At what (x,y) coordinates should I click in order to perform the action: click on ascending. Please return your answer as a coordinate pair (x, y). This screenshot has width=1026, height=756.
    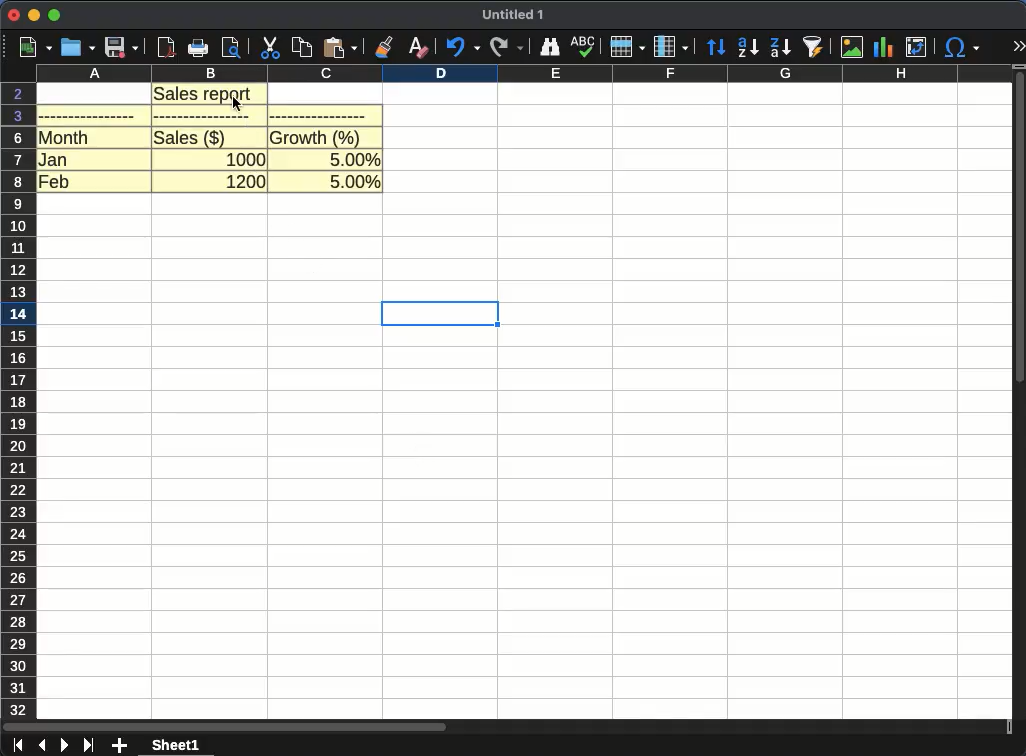
    Looking at the image, I should click on (748, 47).